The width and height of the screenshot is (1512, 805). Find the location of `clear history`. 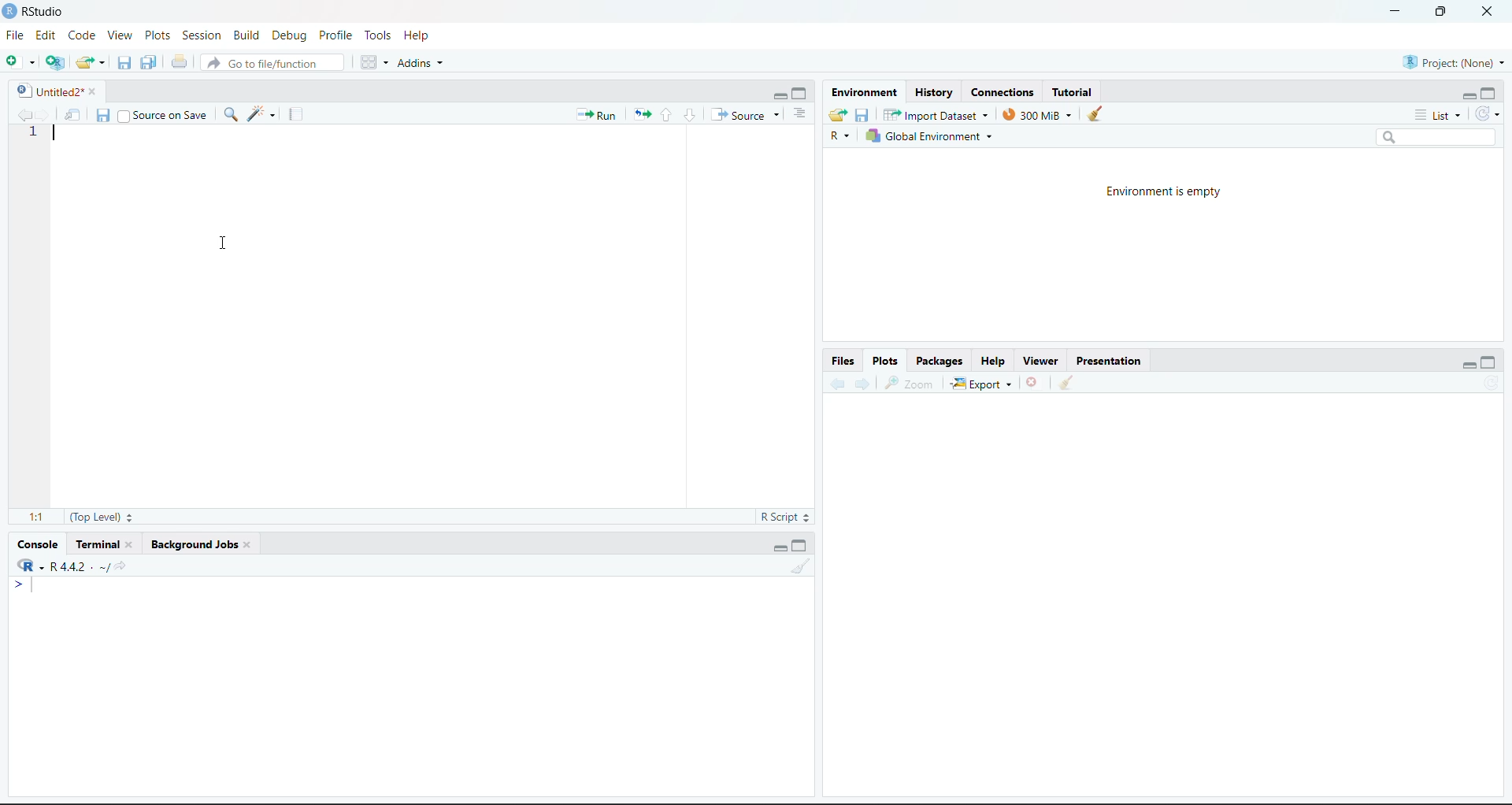

clear history is located at coordinates (1100, 114).